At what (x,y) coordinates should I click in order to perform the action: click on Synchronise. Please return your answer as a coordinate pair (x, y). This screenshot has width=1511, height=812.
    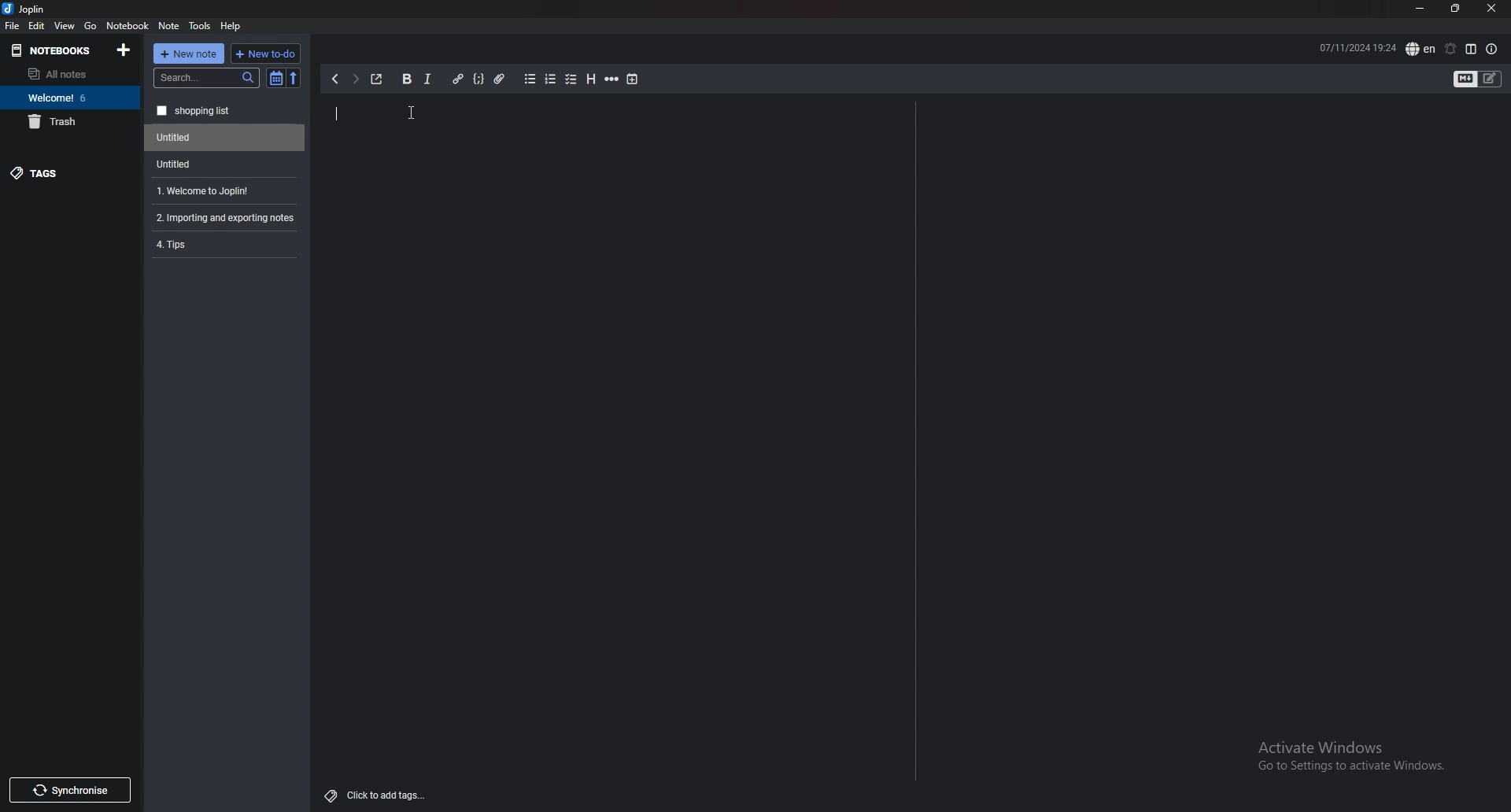
    Looking at the image, I should click on (69, 790).